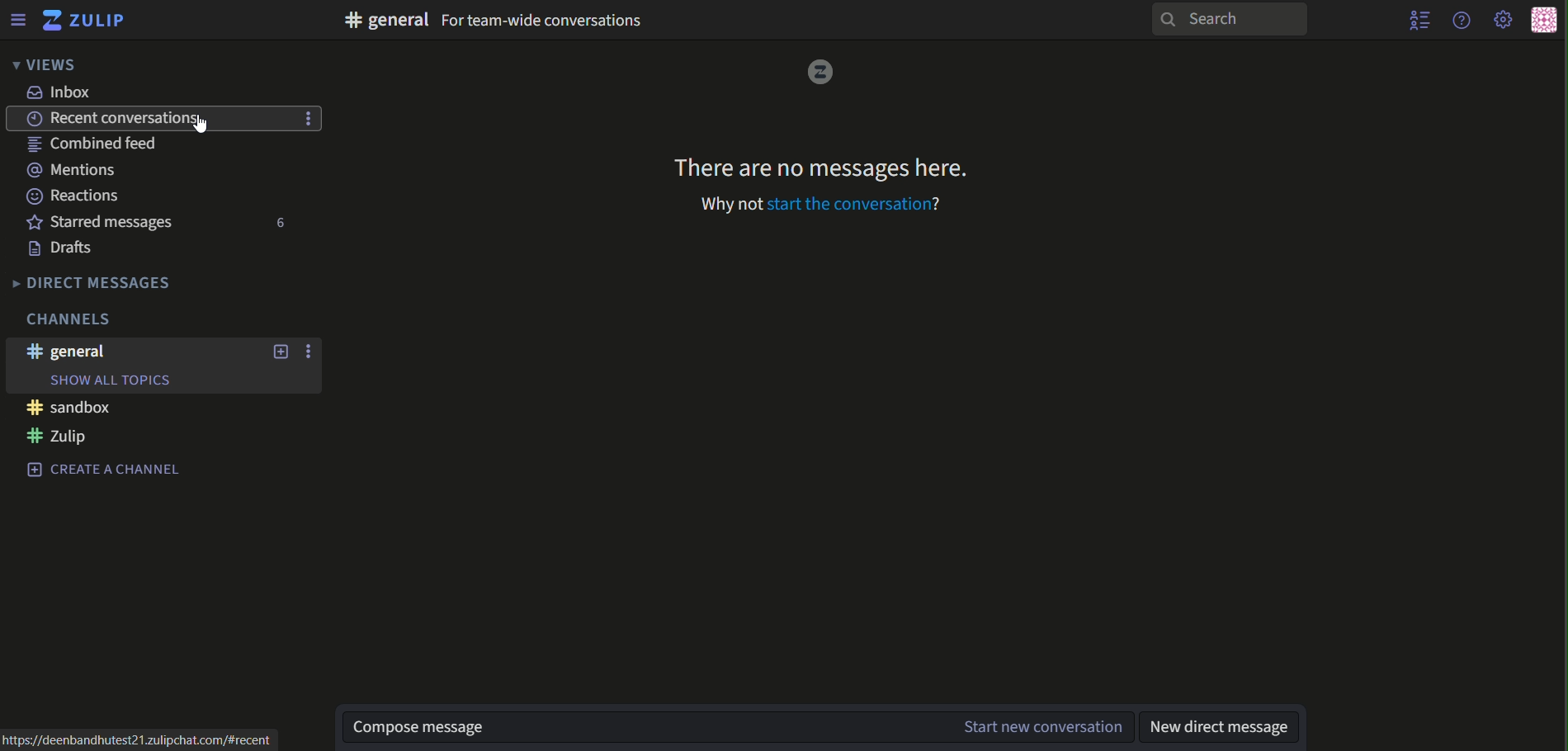 The height and width of the screenshot is (751, 1568). I want to click on Cursor, so click(201, 125).